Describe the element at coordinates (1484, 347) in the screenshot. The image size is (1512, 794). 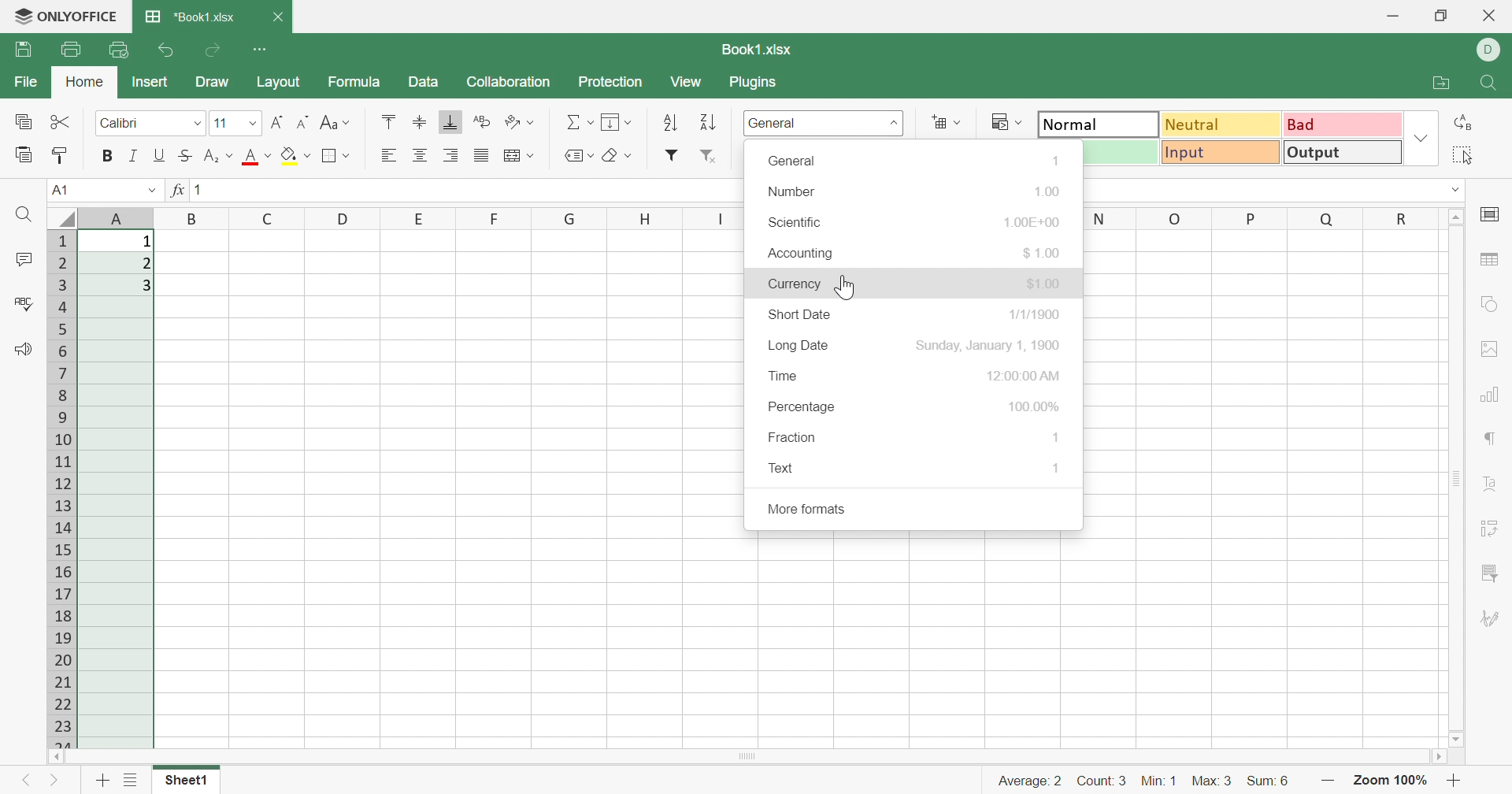
I see `Image settings` at that location.